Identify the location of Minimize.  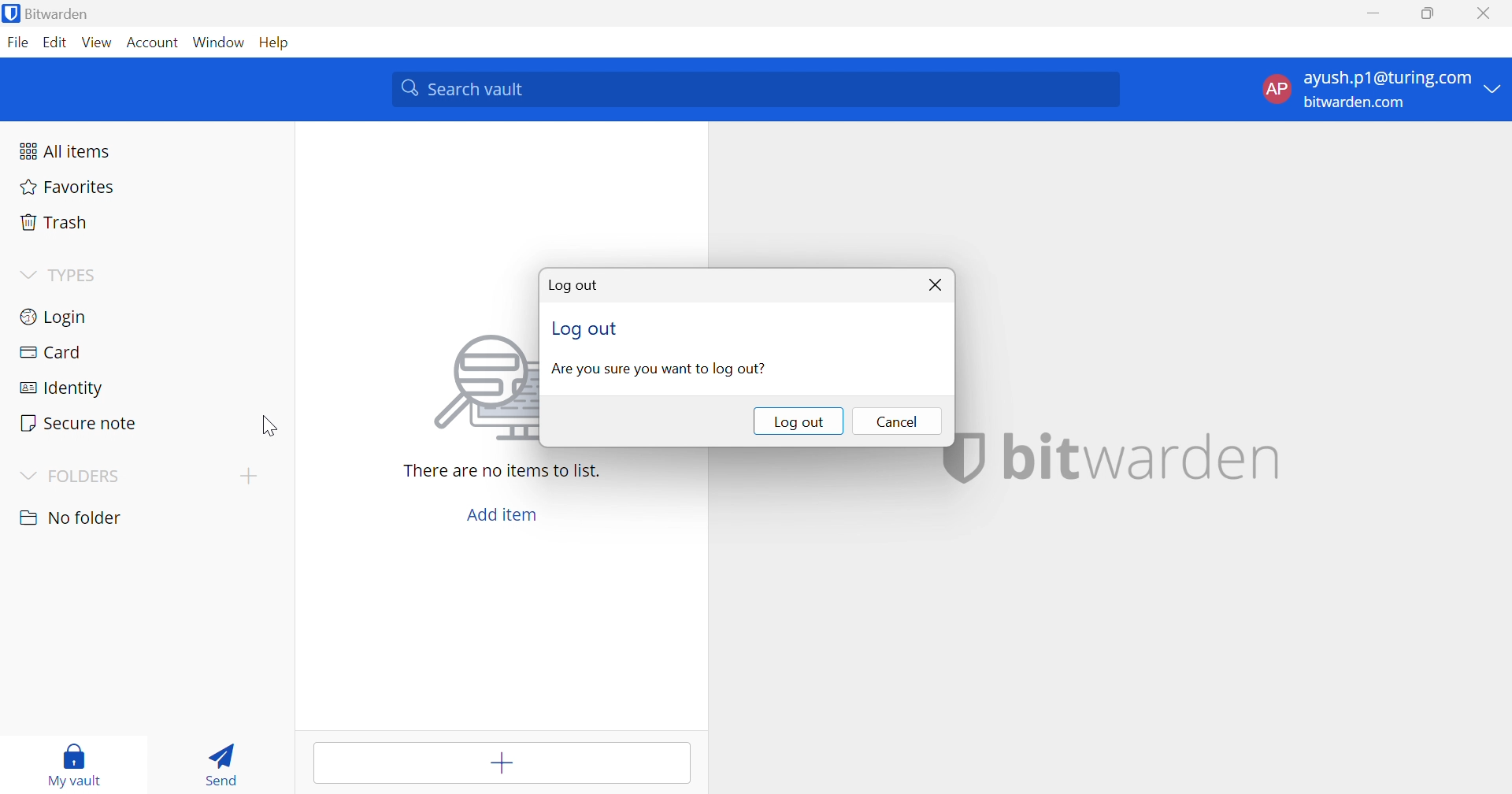
(1377, 13).